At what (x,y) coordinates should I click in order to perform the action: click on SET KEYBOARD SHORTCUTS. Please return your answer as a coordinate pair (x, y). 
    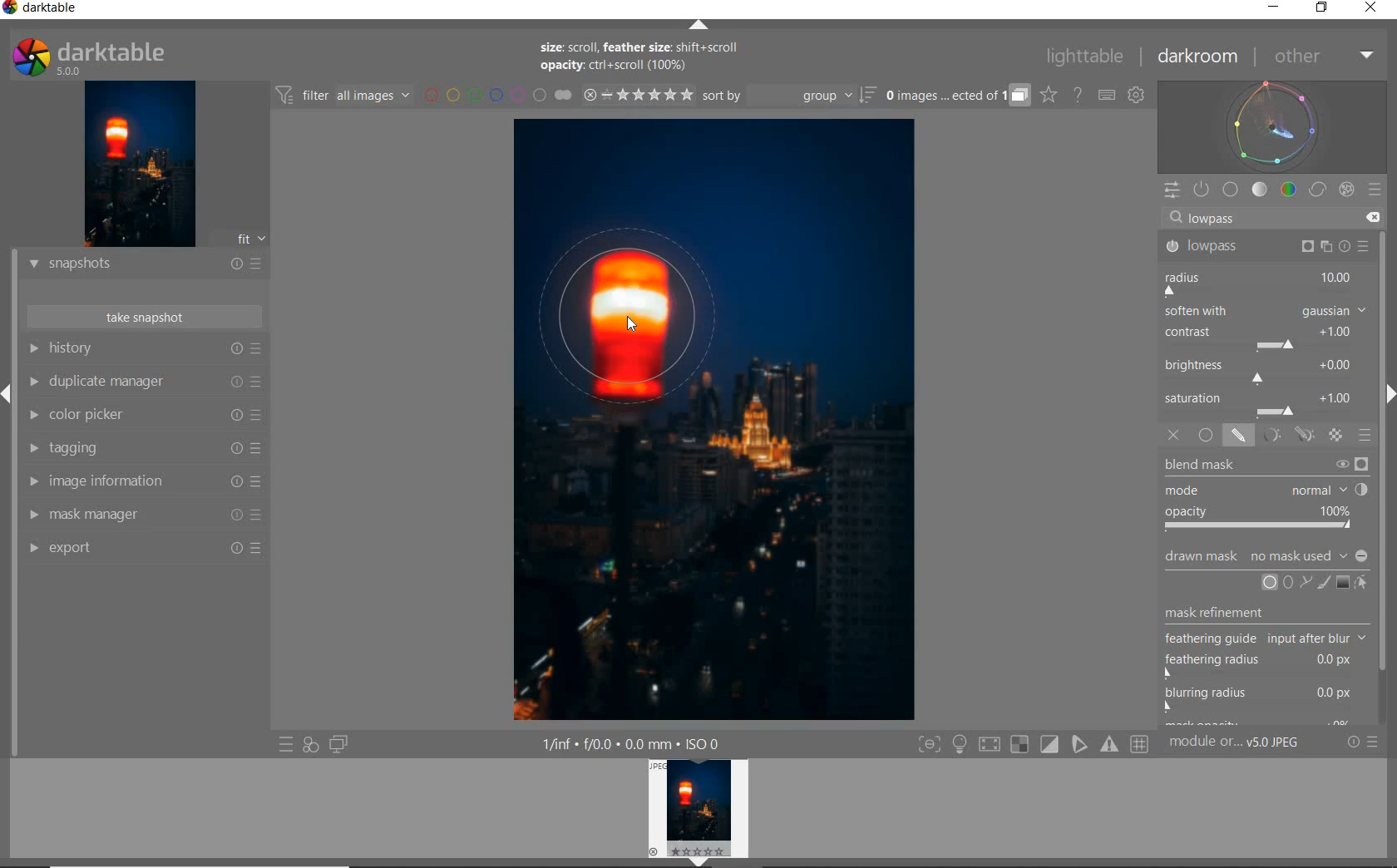
    Looking at the image, I should click on (1107, 95).